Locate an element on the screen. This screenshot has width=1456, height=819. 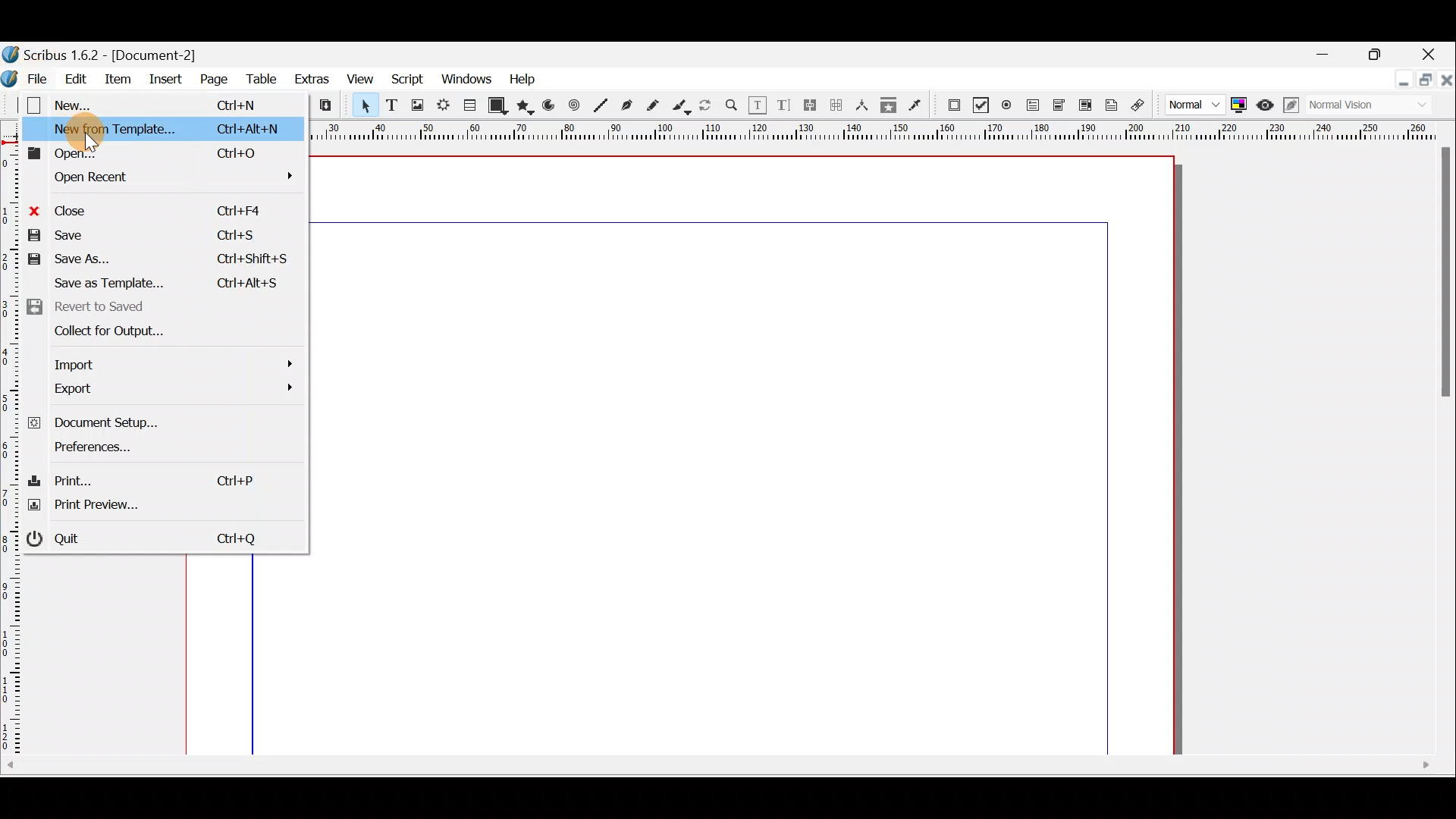
Print preview is located at coordinates (162, 503).